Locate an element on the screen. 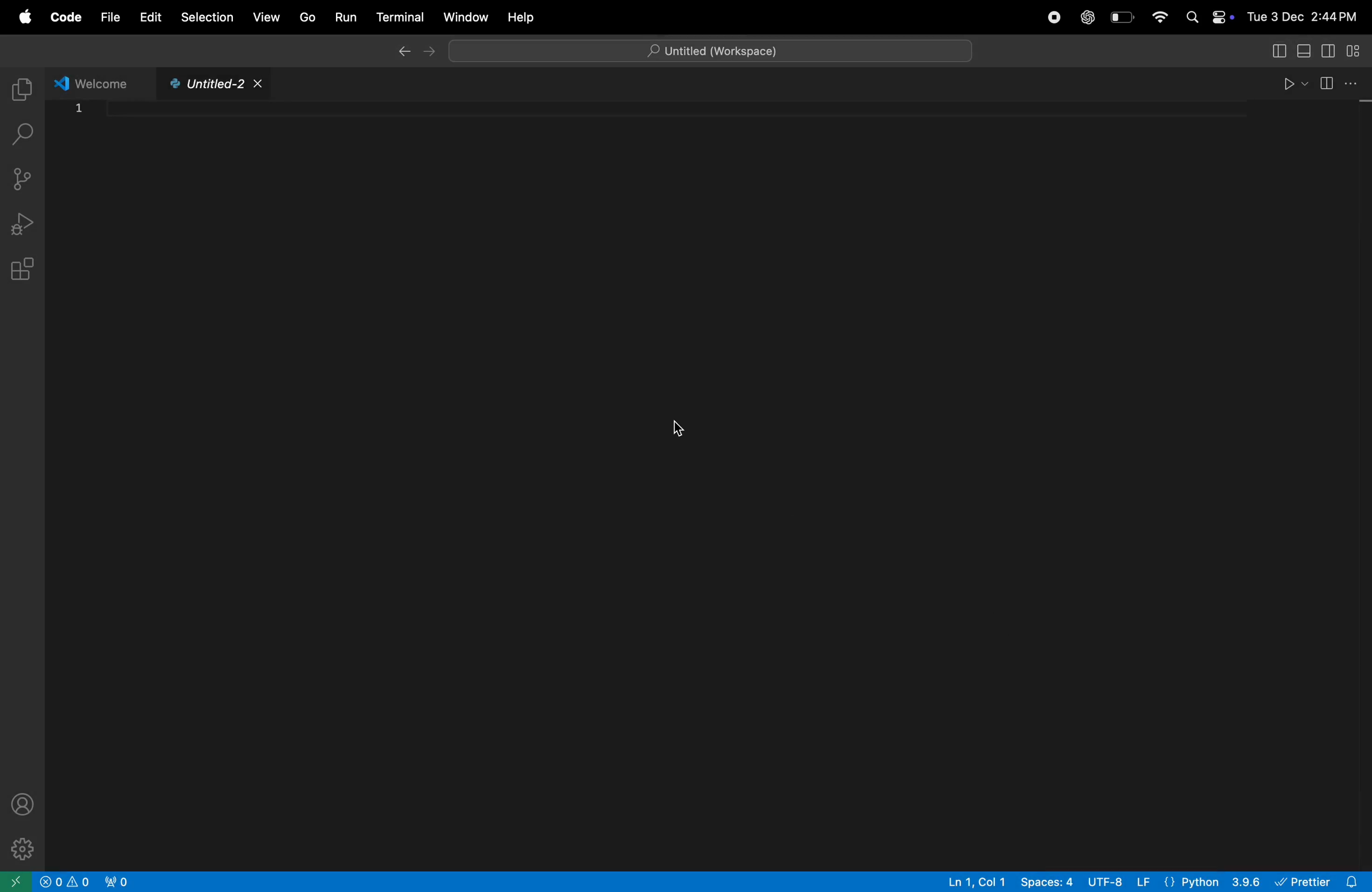 This screenshot has width=1372, height=892. date and time is located at coordinates (1305, 13).